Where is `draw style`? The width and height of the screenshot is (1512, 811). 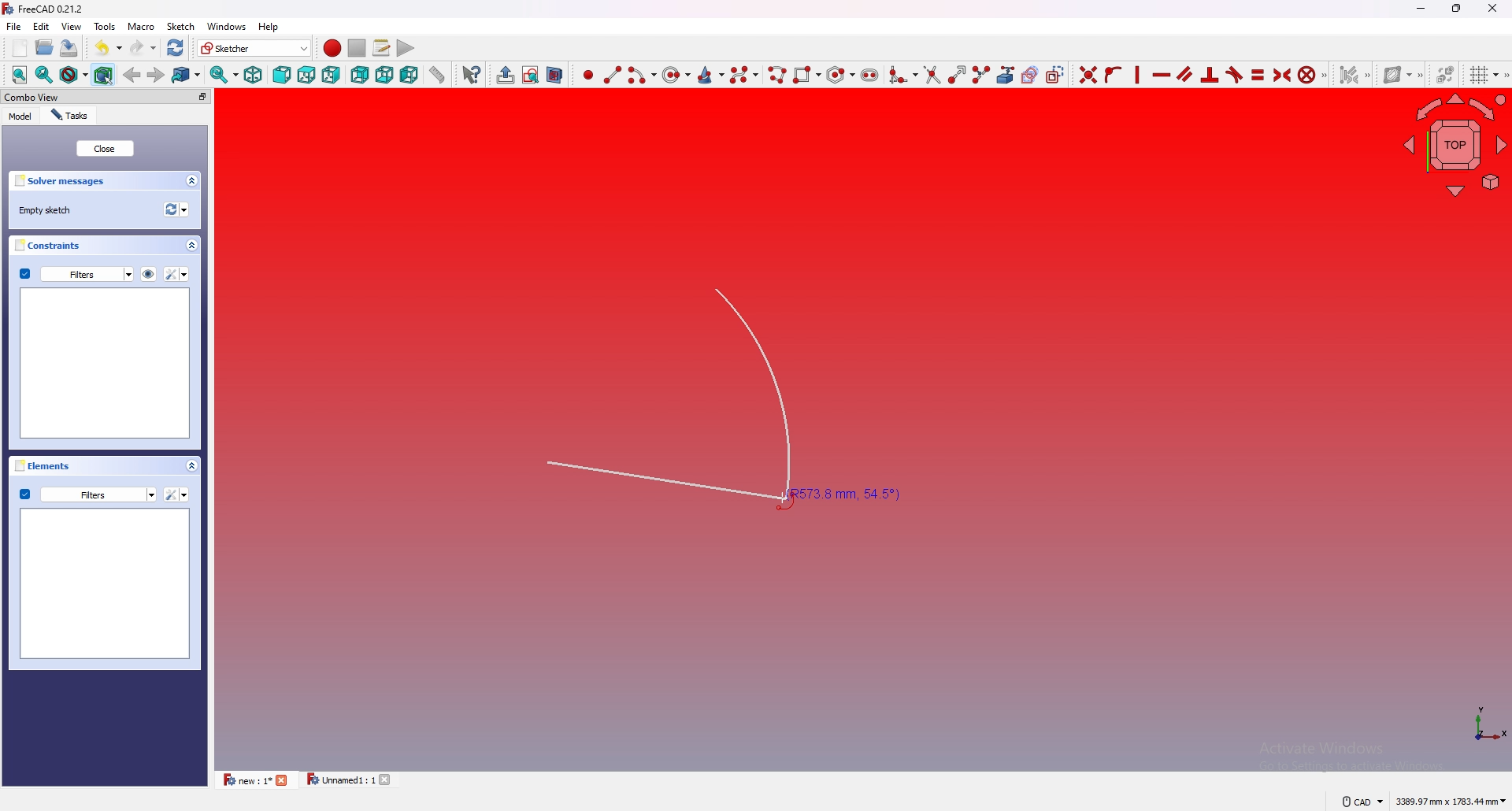
draw style is located at coordinates (73, 74).